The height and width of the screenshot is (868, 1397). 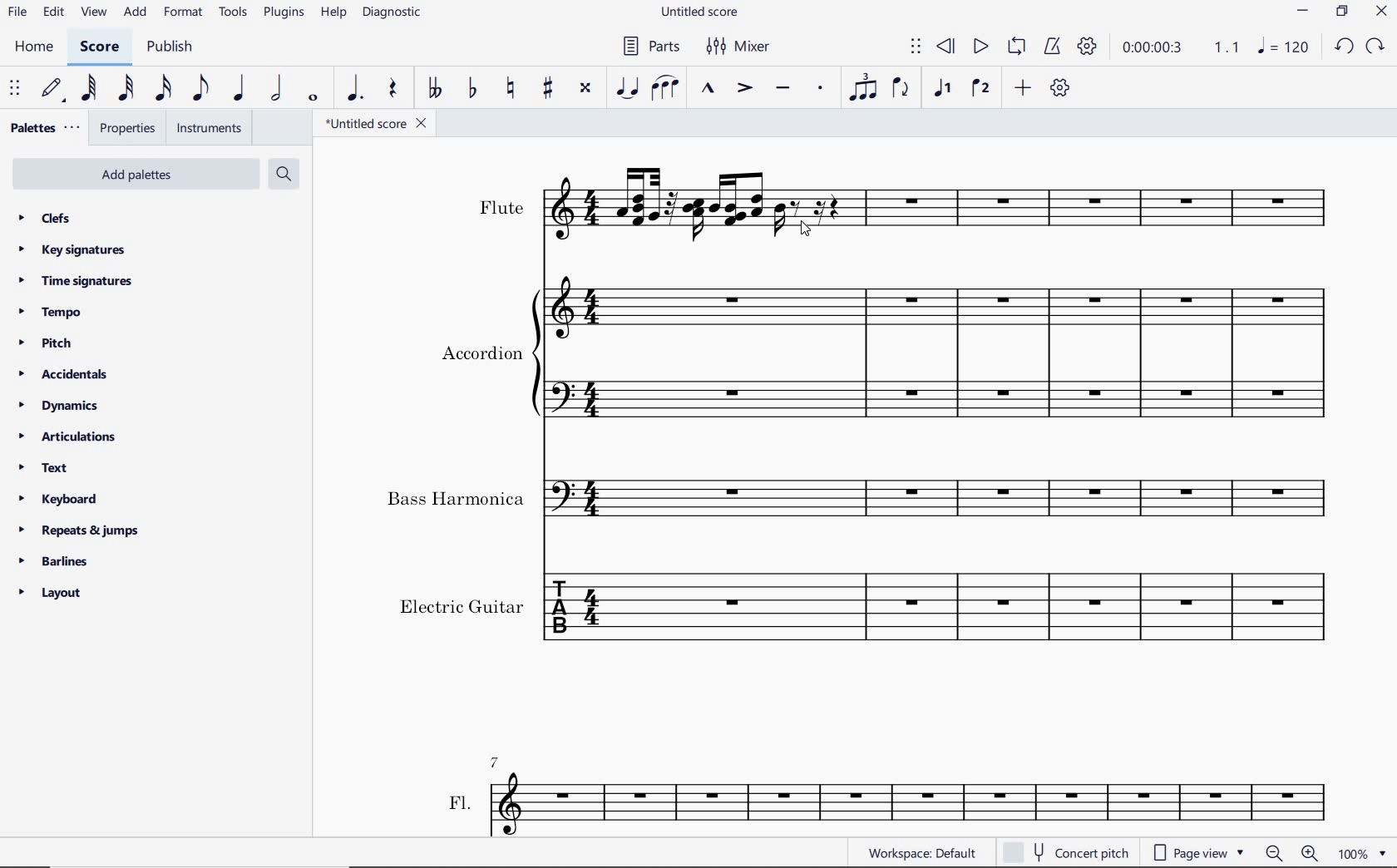 I want to click on clefs, so click(x=42, y=217).